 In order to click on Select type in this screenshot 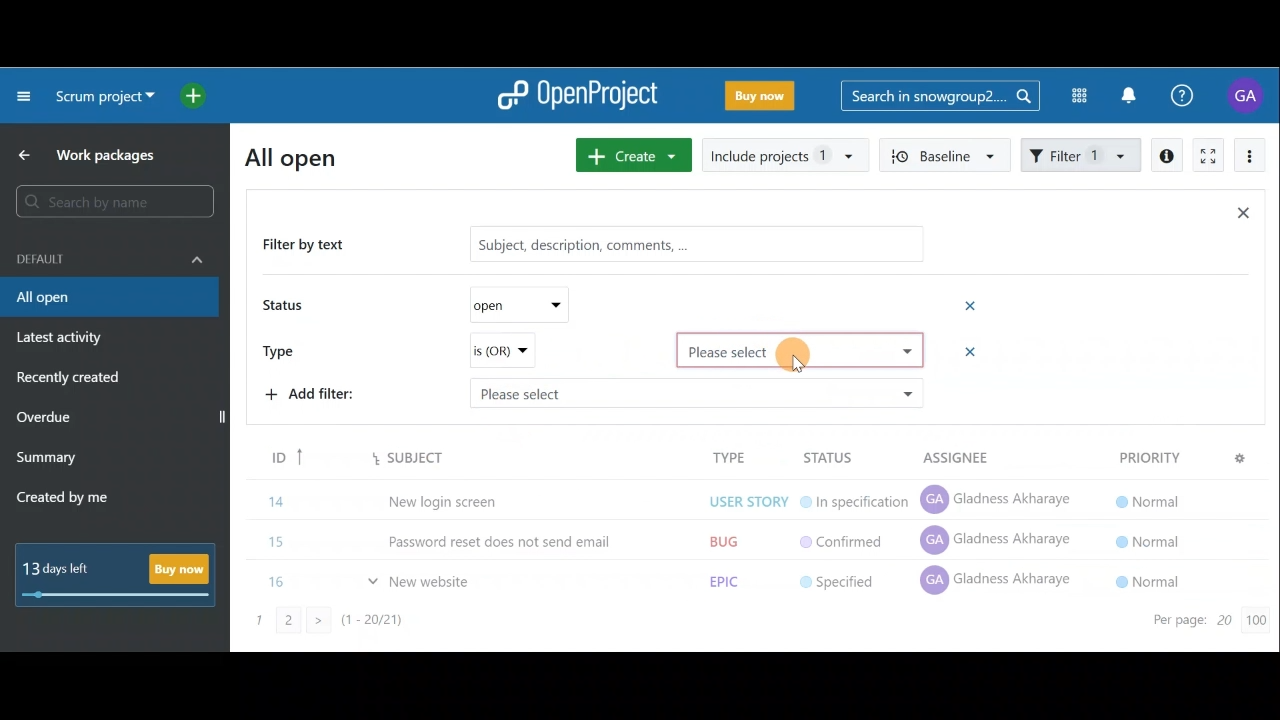, I will do `click(802, 350)`.